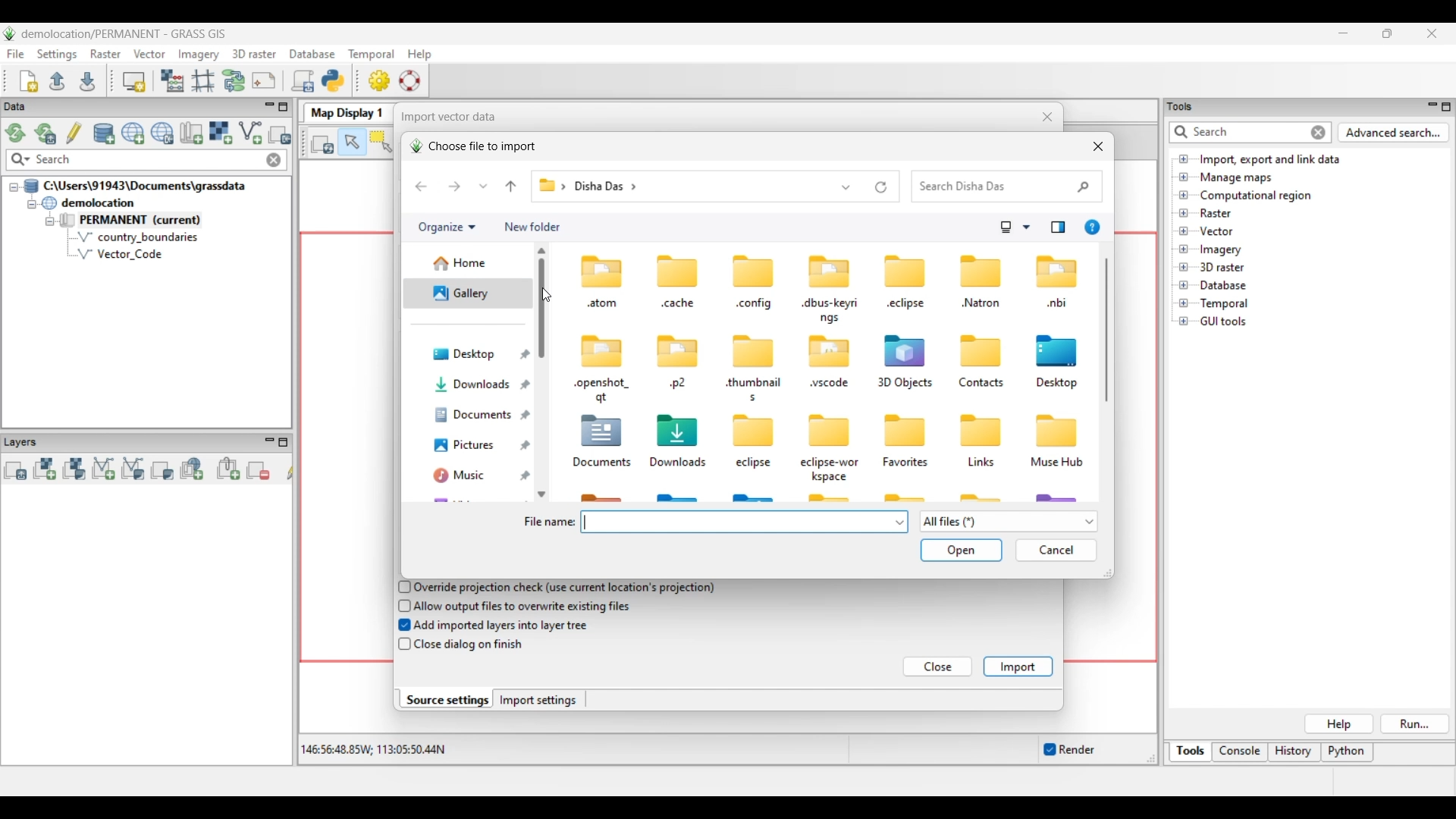  Describe the element at coordinates (553, 187) in the screenshot. I see `Path of current folder` at that location.